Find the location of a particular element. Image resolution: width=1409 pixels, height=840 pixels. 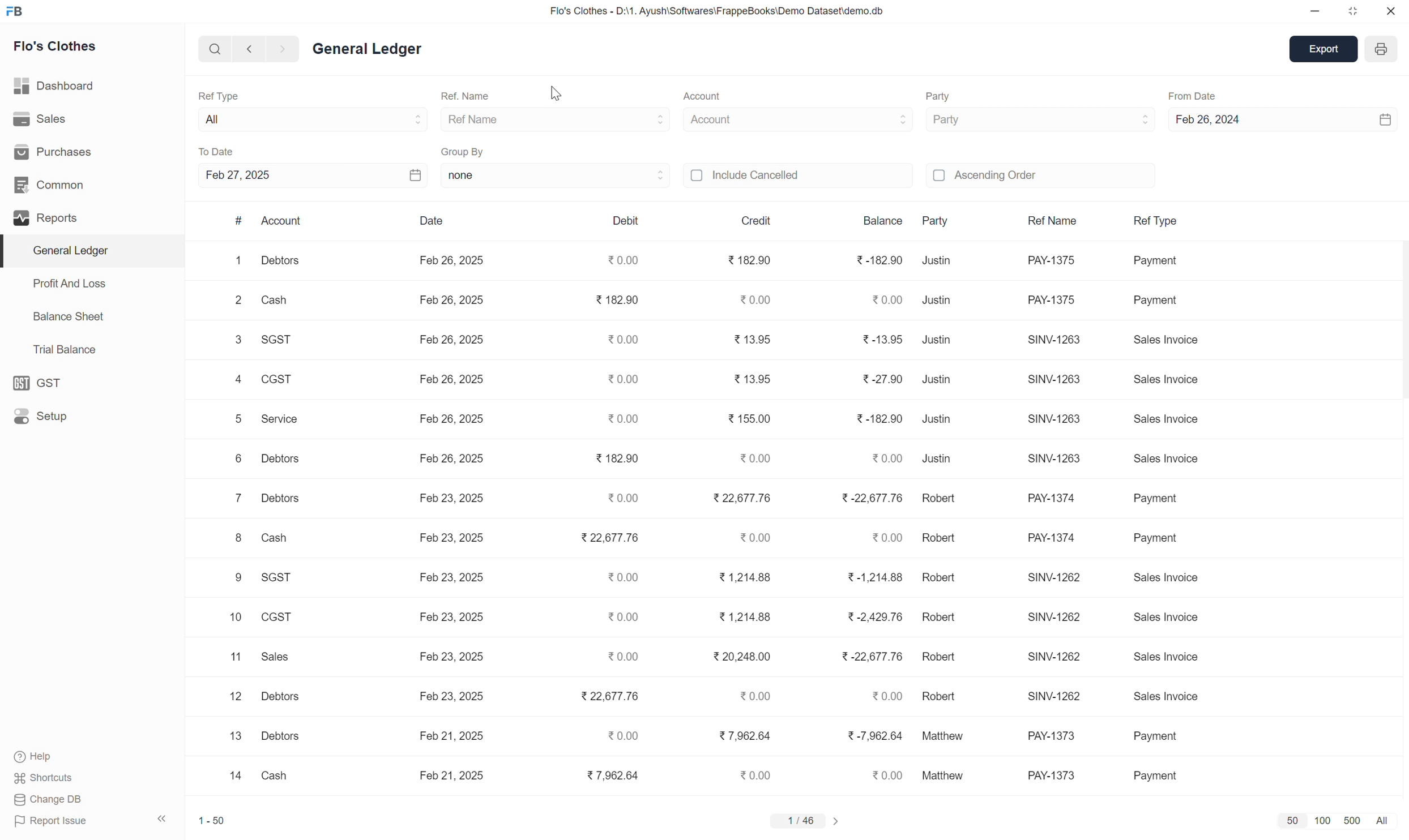

all is located at coordinates (1381, 821).